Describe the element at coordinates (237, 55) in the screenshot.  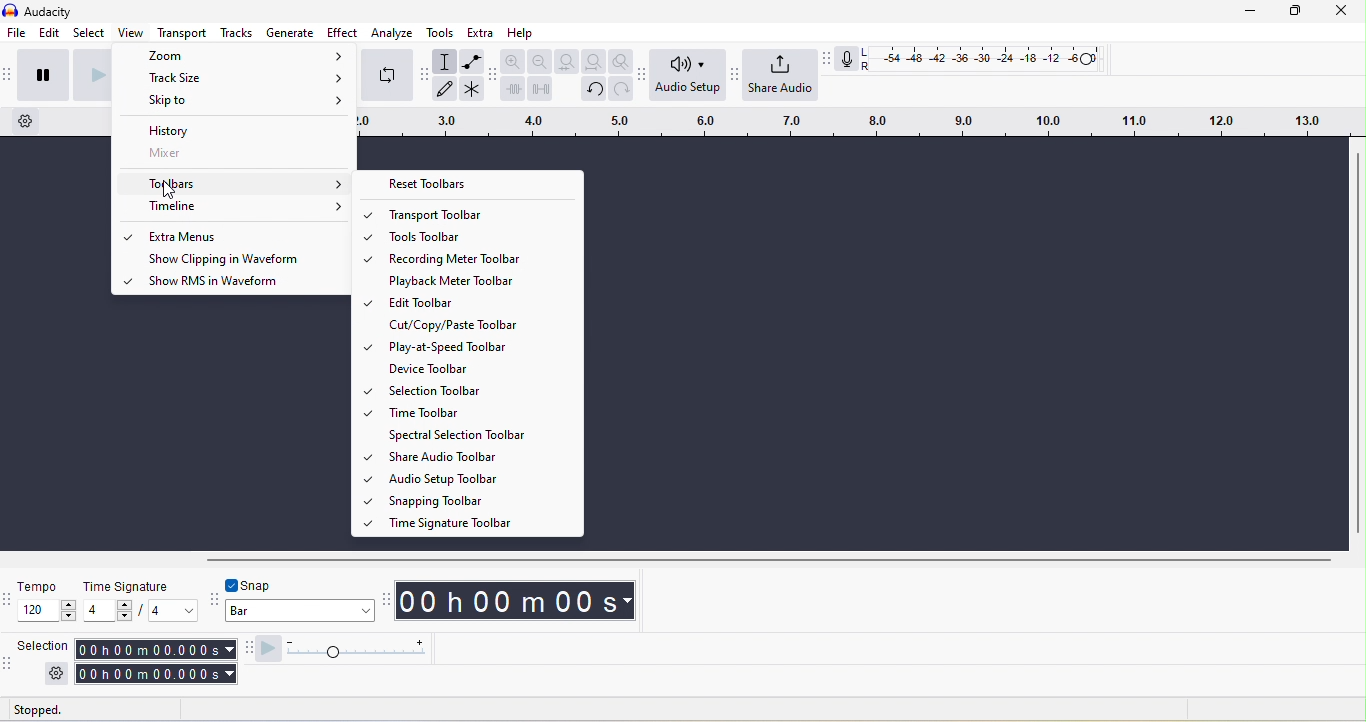
I see `Zoom` at that location.